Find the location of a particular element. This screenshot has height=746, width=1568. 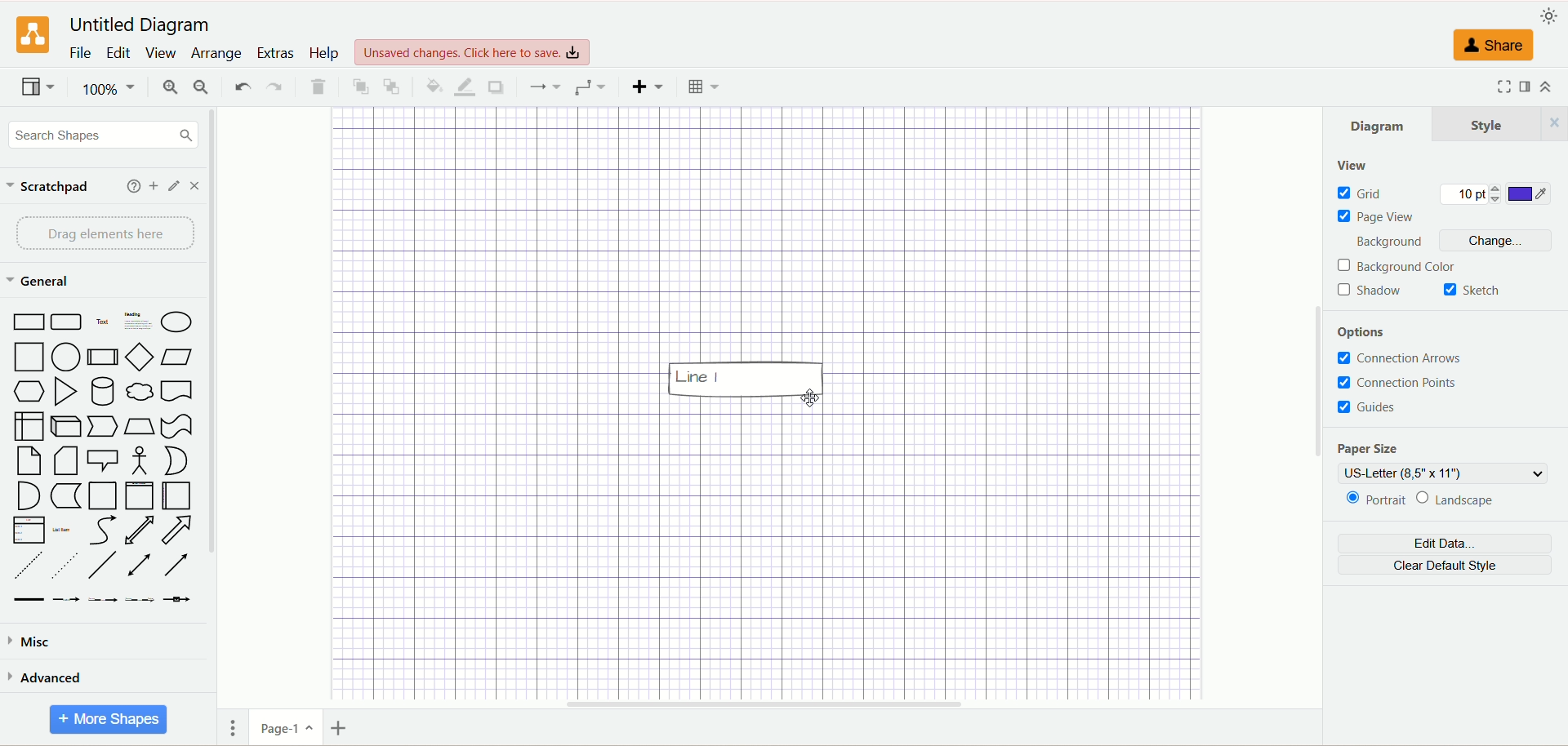

vertical scroll bar is located at coordinates (1312, 408).